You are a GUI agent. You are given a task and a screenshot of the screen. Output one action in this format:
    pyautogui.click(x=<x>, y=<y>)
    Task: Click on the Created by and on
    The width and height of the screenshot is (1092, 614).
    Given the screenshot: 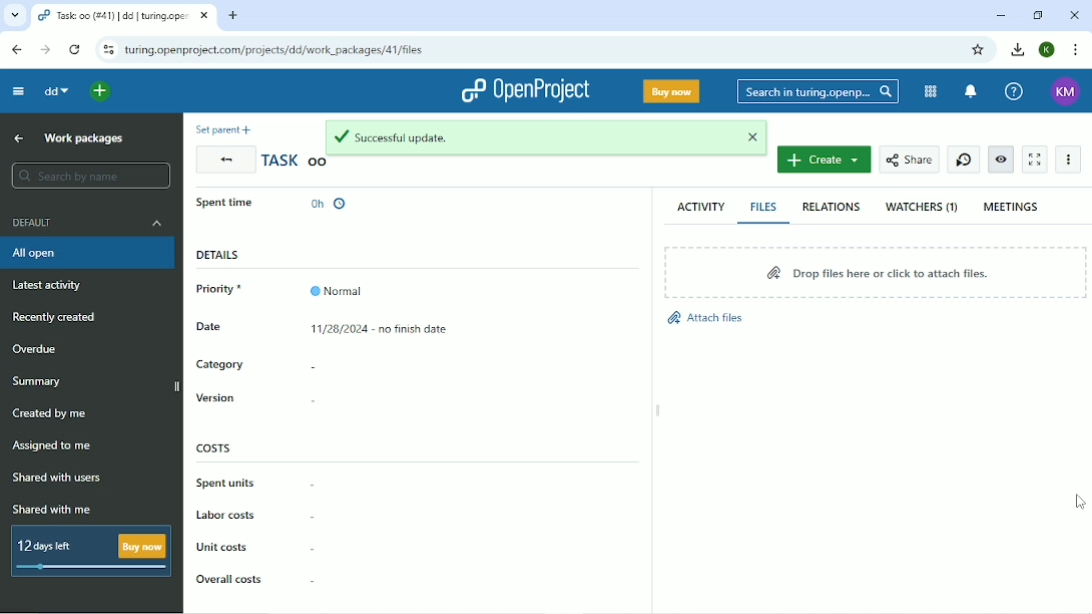 What is the action you would take?
    pyautogui.click(x=419, y=207)
    